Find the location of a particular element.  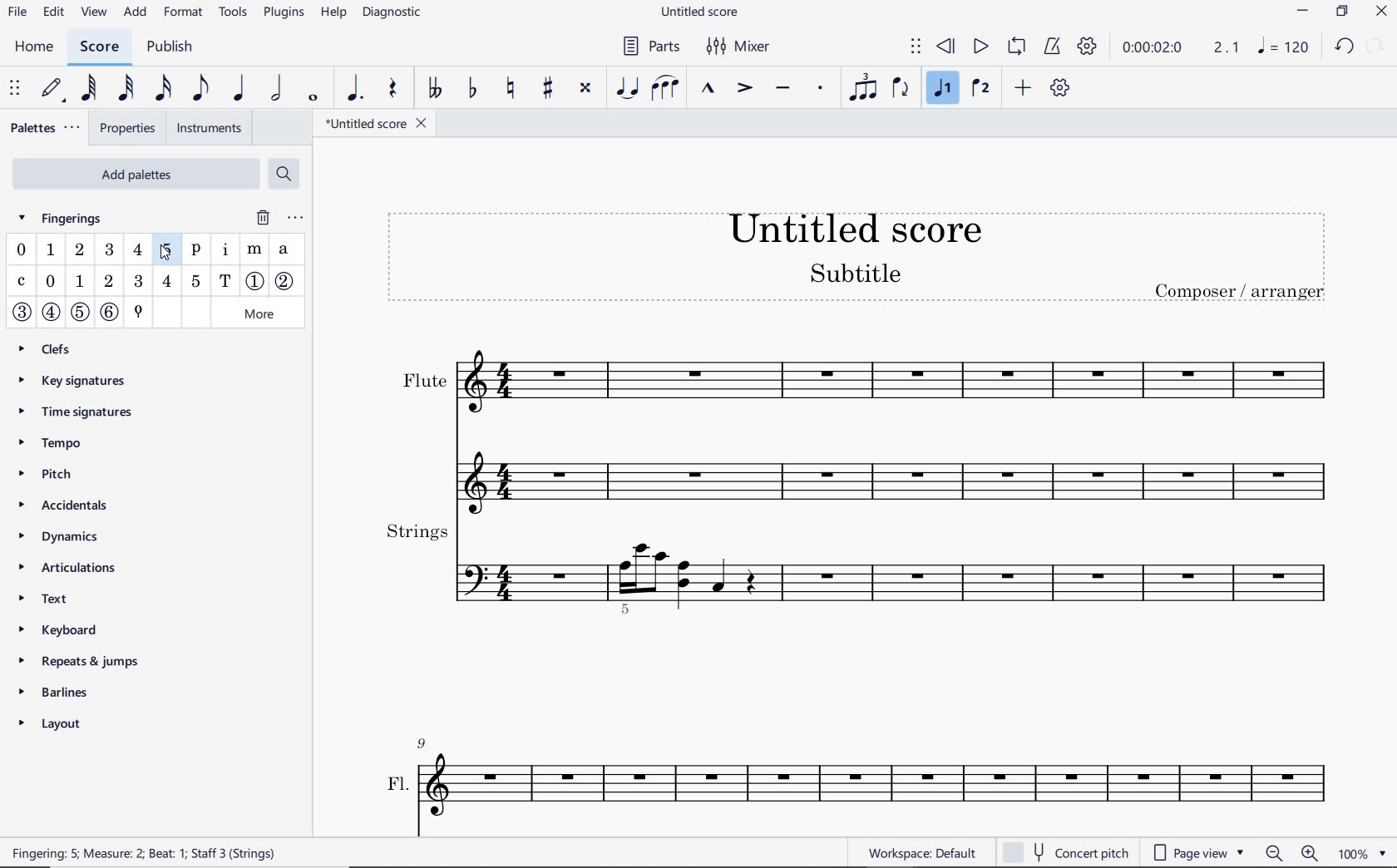

publish is located at coordinates (175, 47).